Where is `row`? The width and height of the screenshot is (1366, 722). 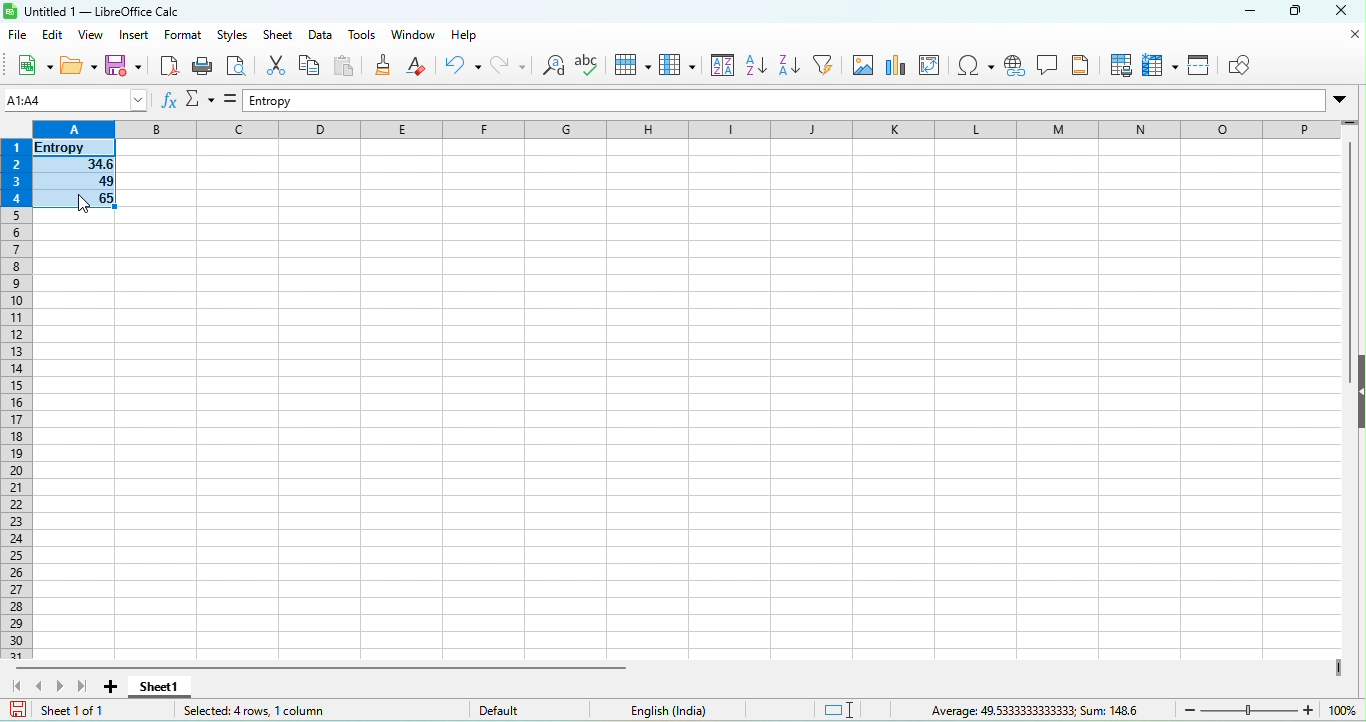 row is located at coordinates (630, 64).